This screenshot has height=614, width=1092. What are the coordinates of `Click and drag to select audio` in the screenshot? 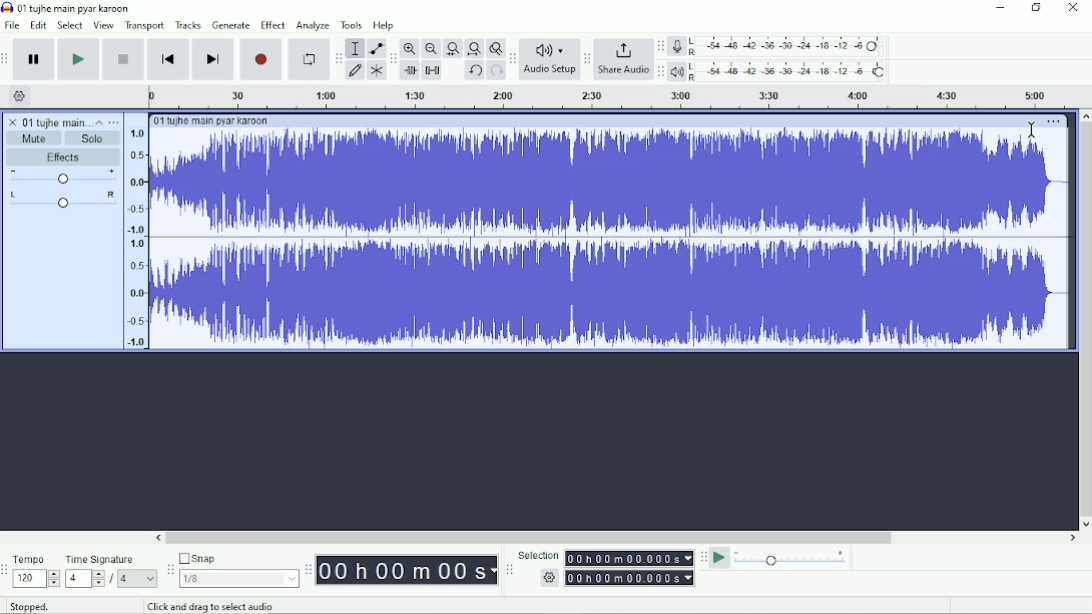 It's located at (215, 606).